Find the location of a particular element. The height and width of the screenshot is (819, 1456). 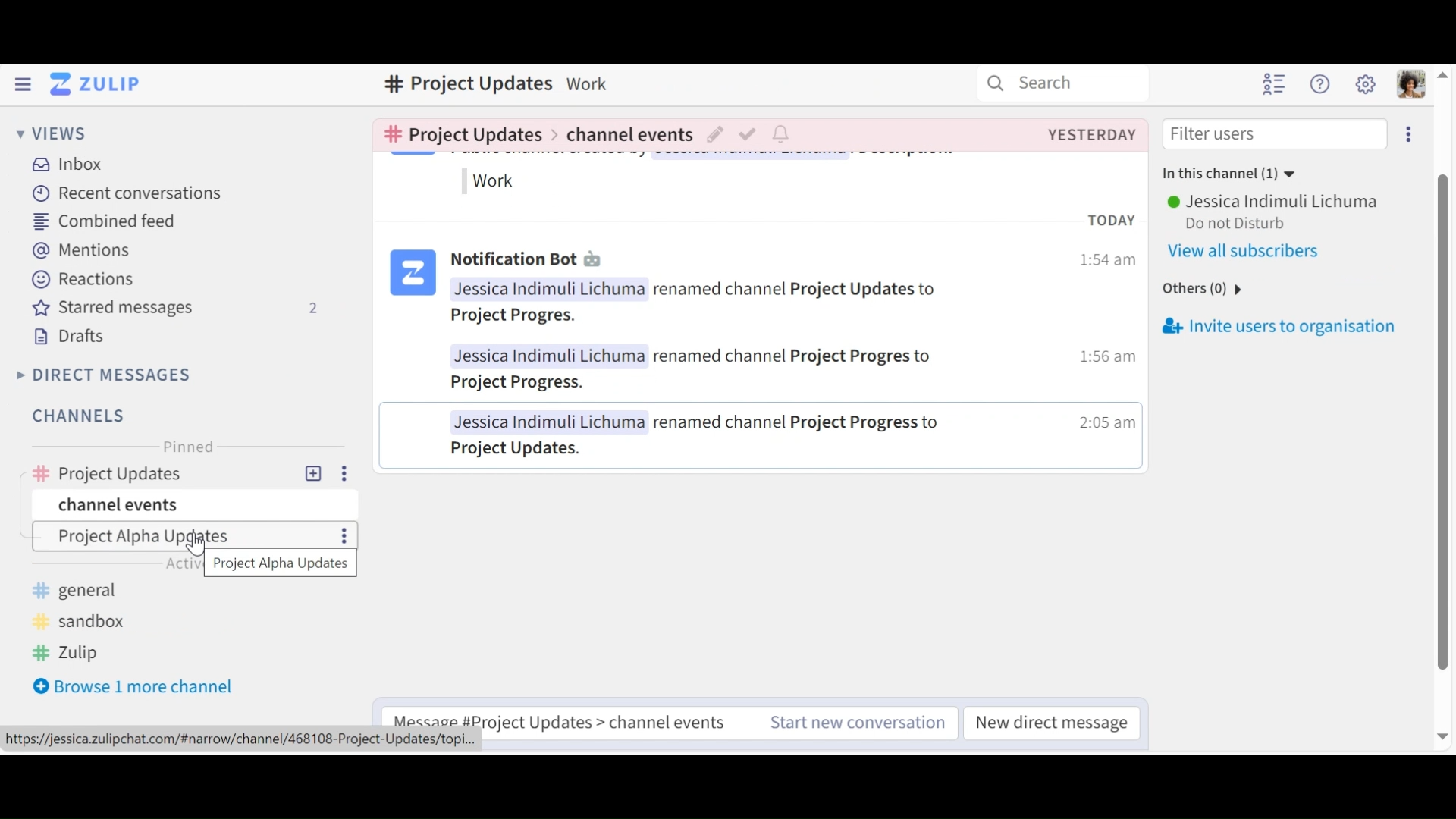

Main menu is located at coordinates (1364, 83).